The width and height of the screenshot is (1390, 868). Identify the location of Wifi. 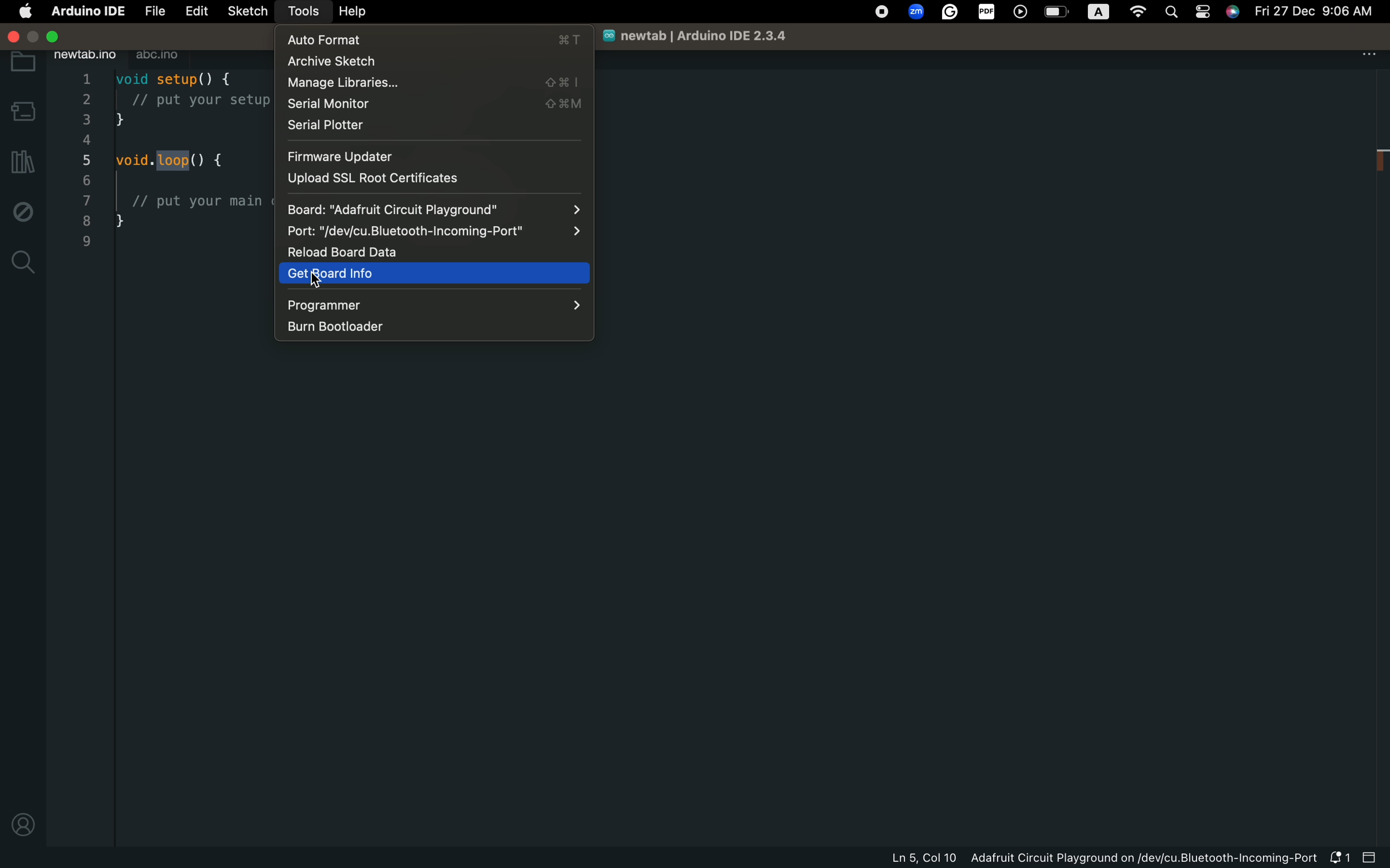
(1139, 9).